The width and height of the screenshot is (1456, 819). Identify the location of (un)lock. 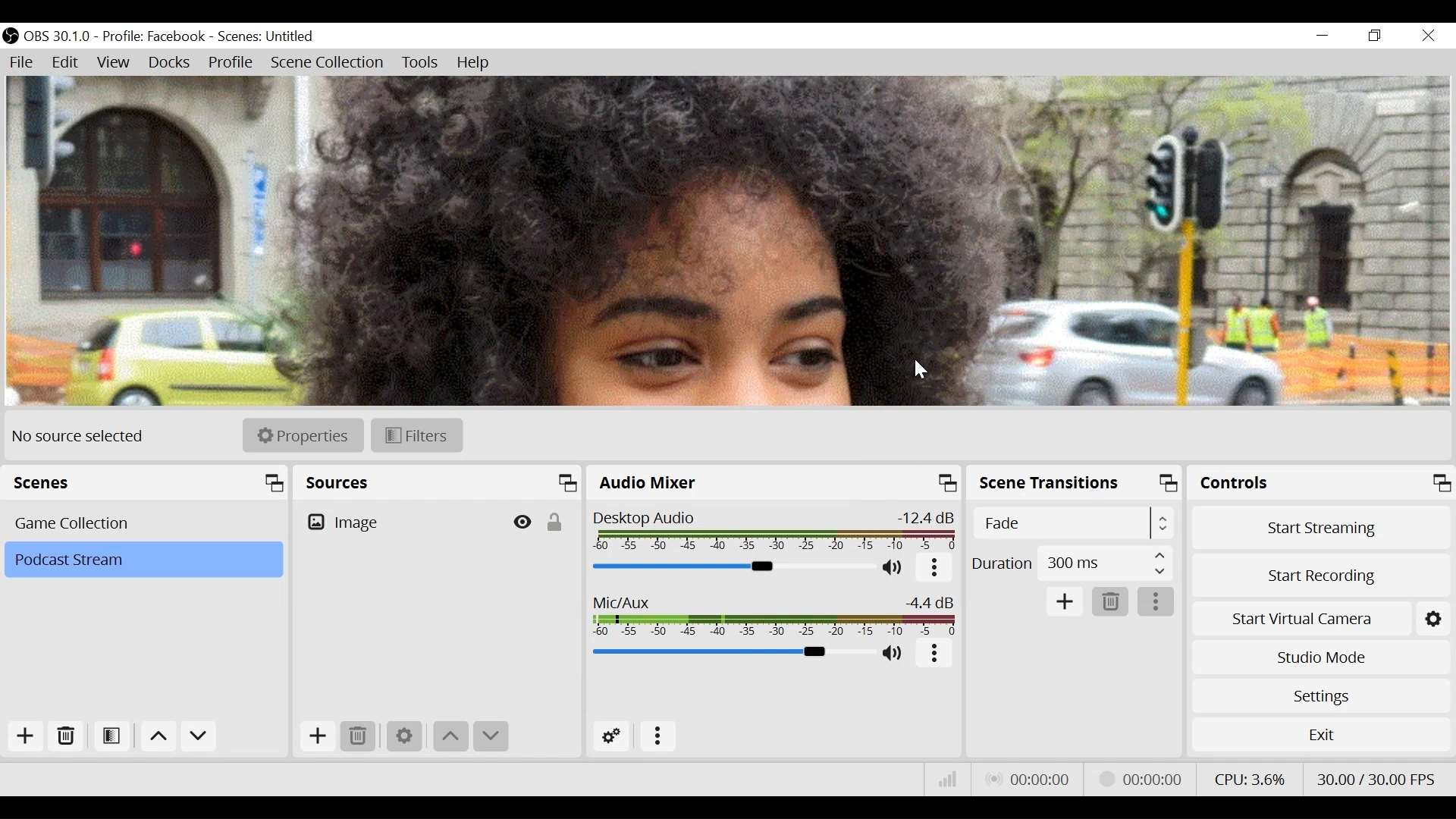
(553, 522).